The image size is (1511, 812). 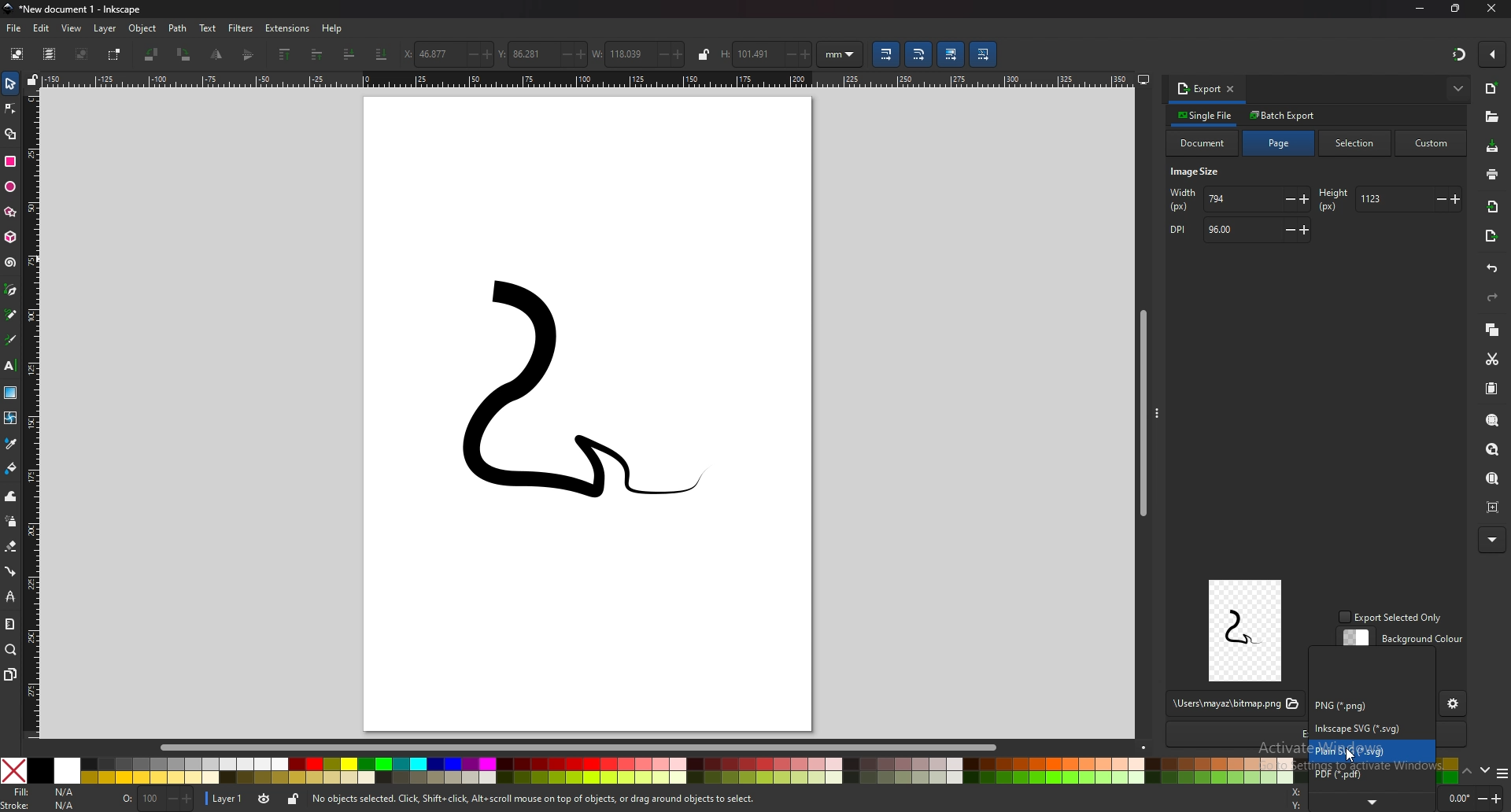 I want to click on rotate 90 degree ccw, so click(x=152, y=54).